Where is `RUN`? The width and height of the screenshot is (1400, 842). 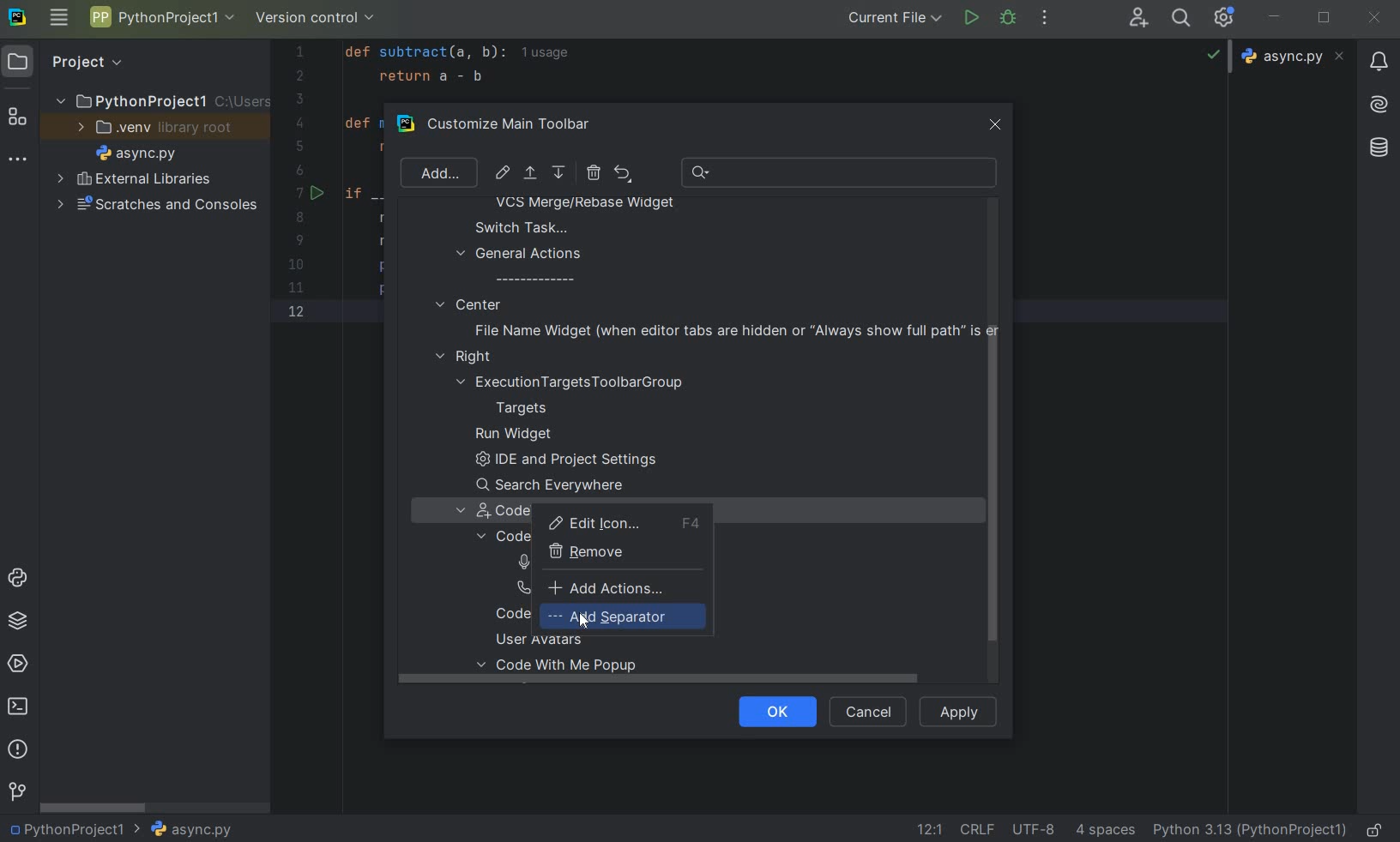
RUN is located at coordinates (973, 19).